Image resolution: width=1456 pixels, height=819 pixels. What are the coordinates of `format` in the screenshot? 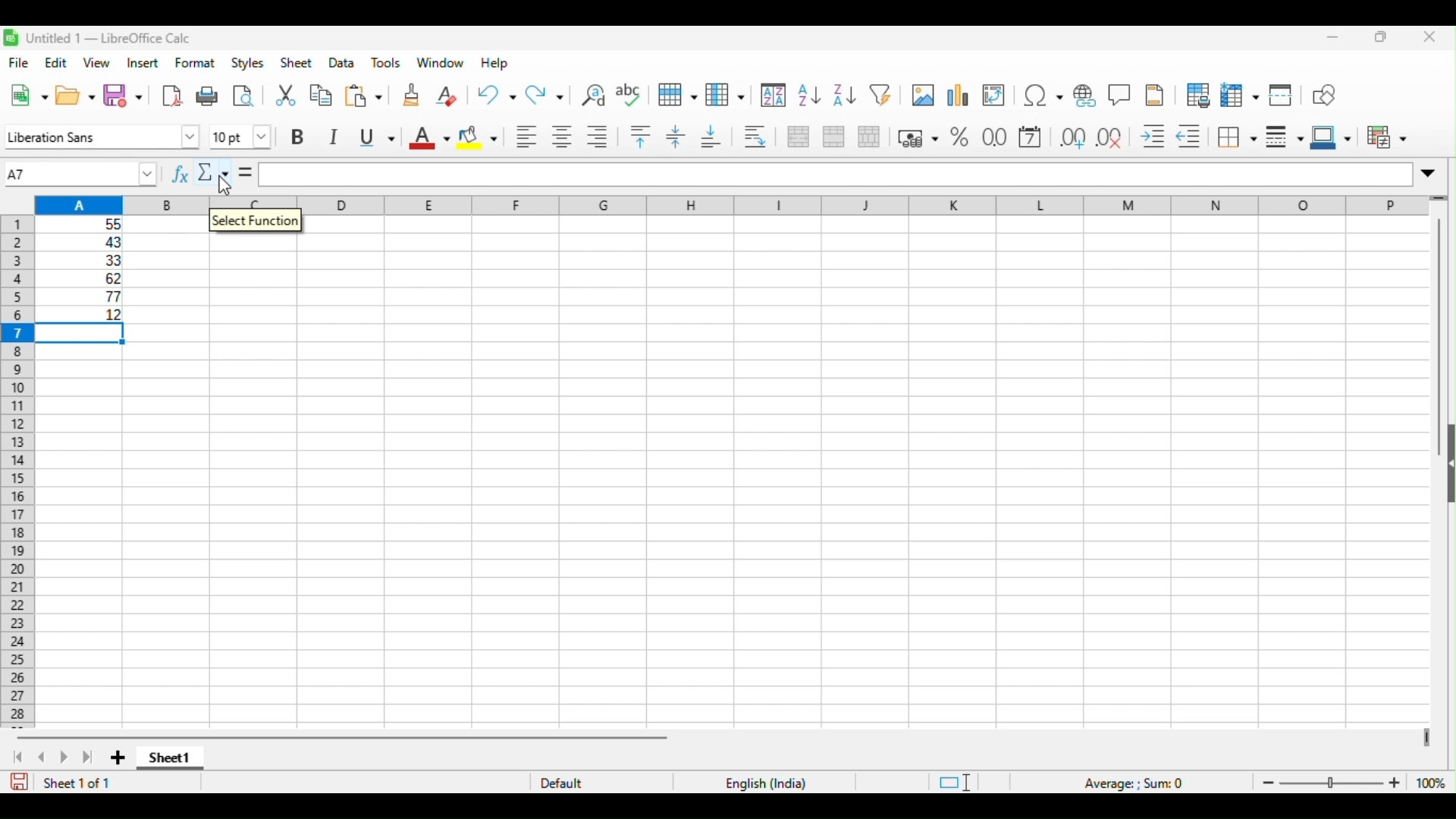 It's located at (196, 63).